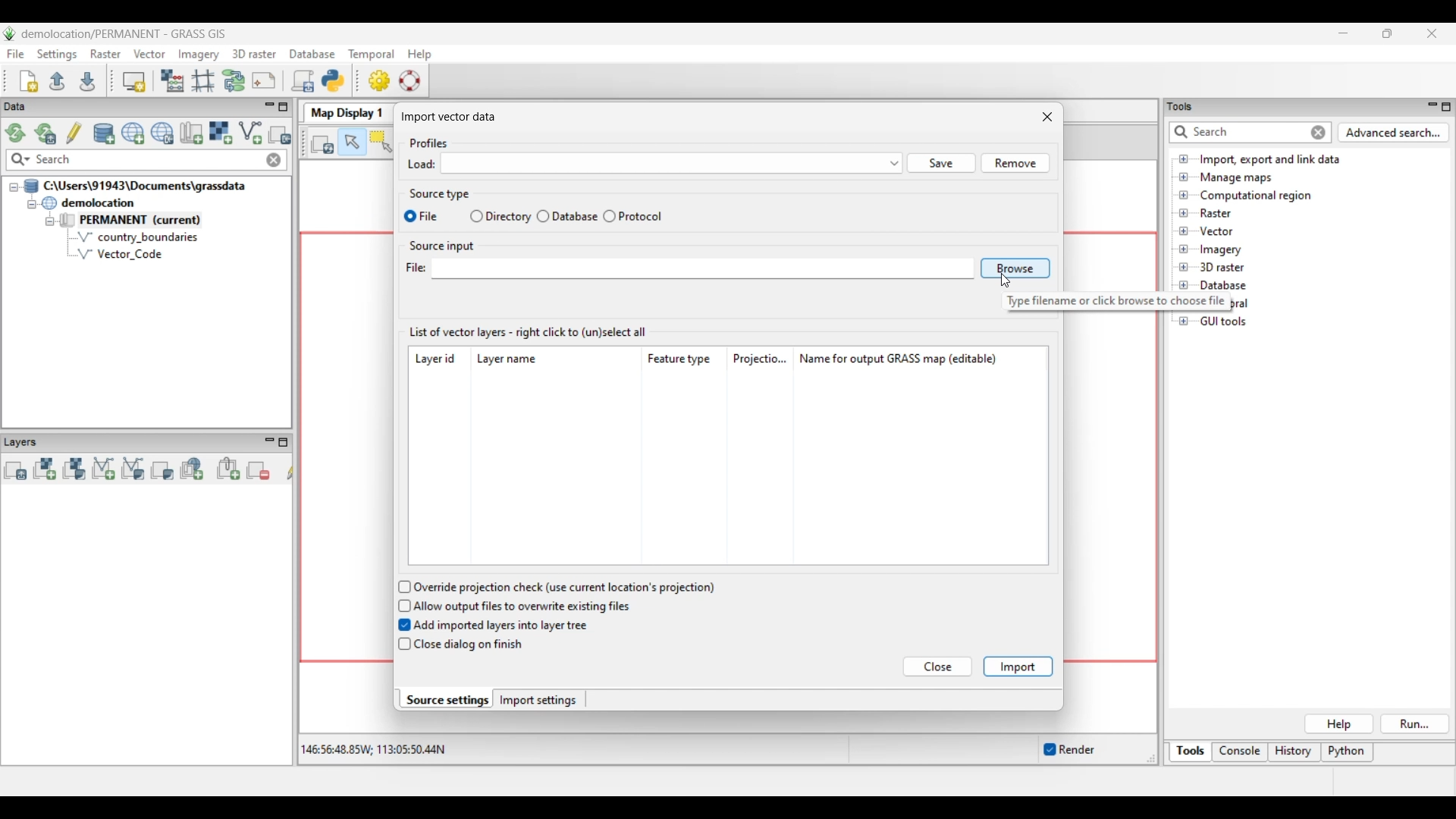 This screenshot has height=819, width=1456. I want to click on Minimize Layers panel, so click(269, 442).